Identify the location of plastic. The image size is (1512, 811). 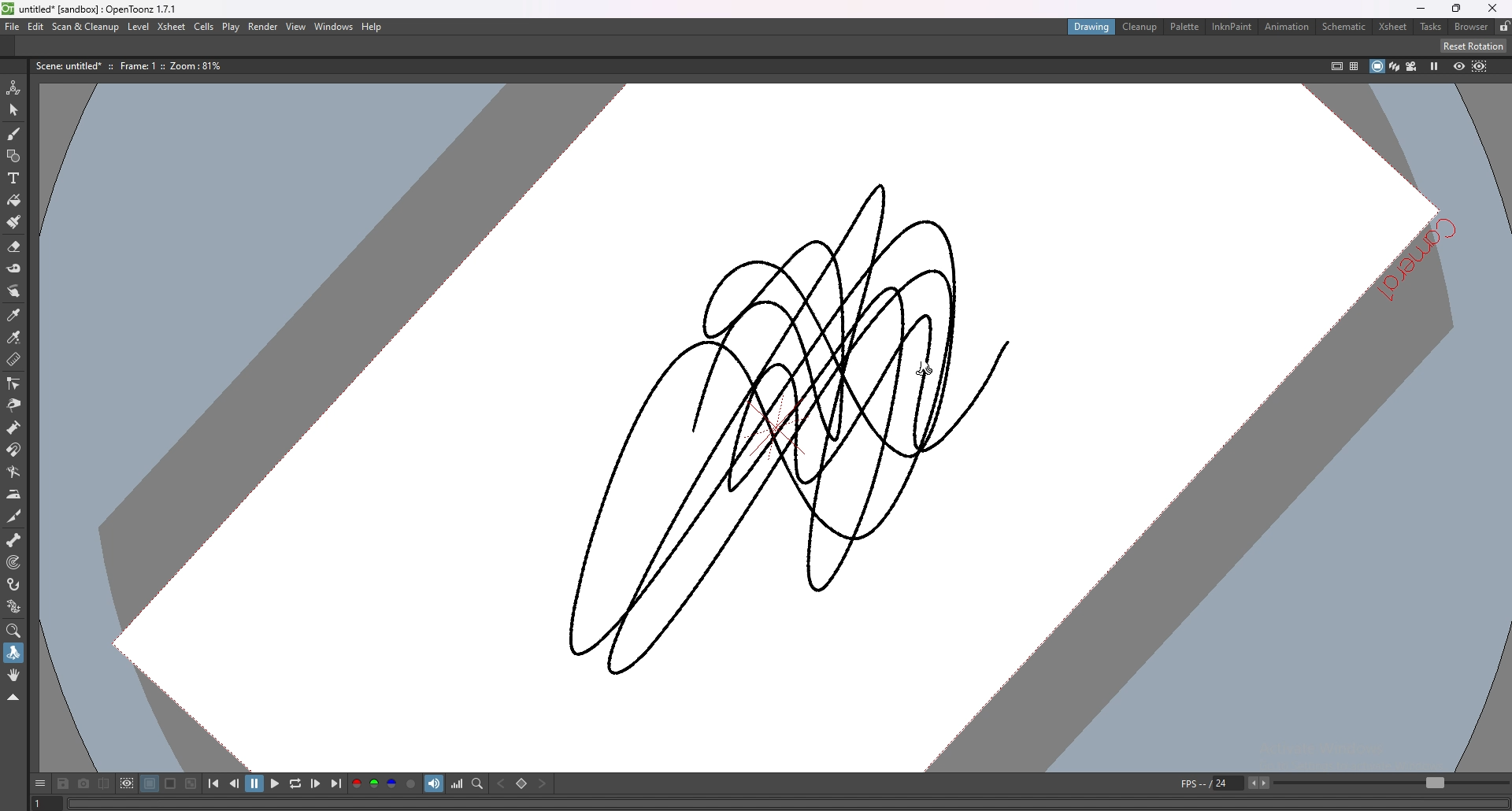
(13, 607).